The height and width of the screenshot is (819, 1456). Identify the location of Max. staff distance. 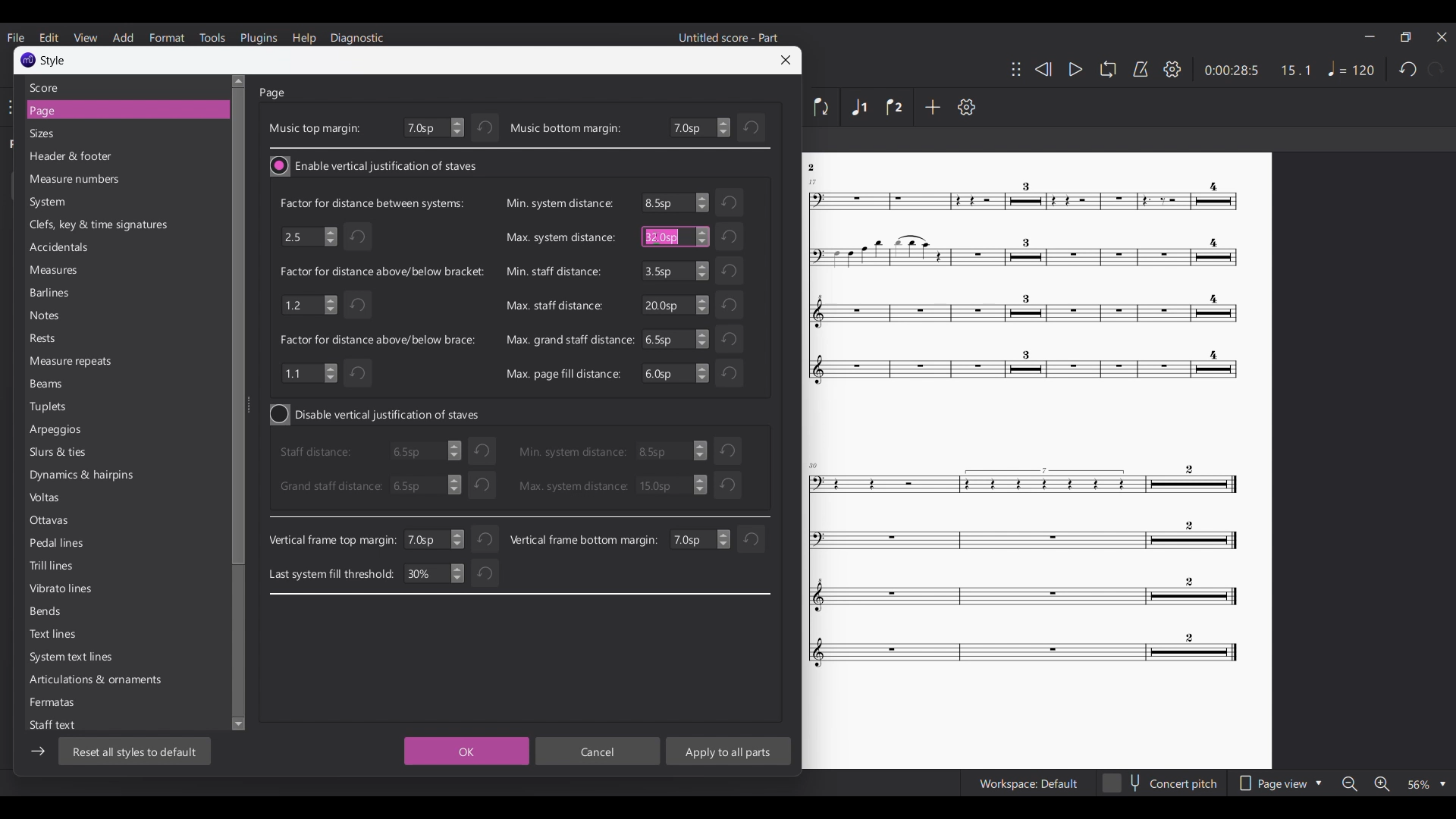
(552, 306).